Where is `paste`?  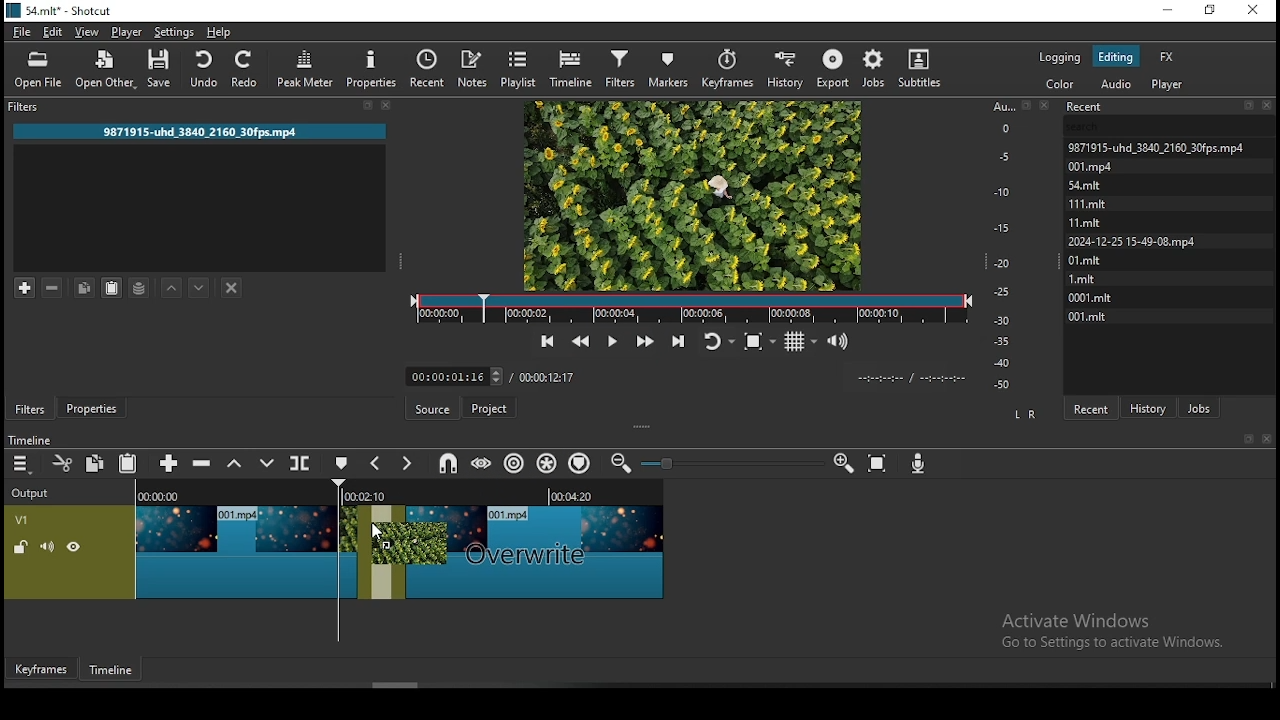 paste is located at coordinates (111, 288).